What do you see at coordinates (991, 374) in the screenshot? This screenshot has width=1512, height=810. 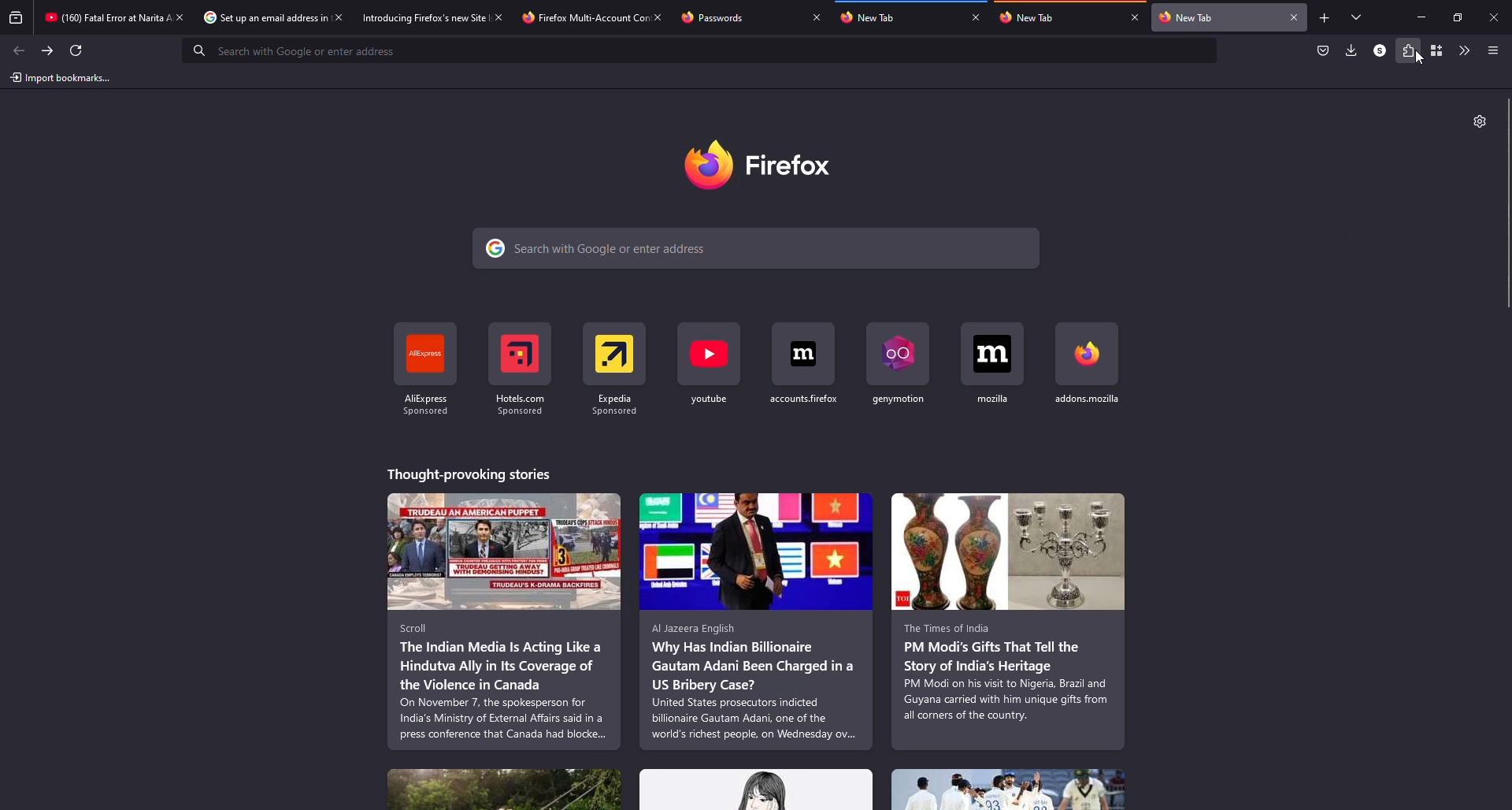 I see `shortcut` at bounding box center [991, 374].